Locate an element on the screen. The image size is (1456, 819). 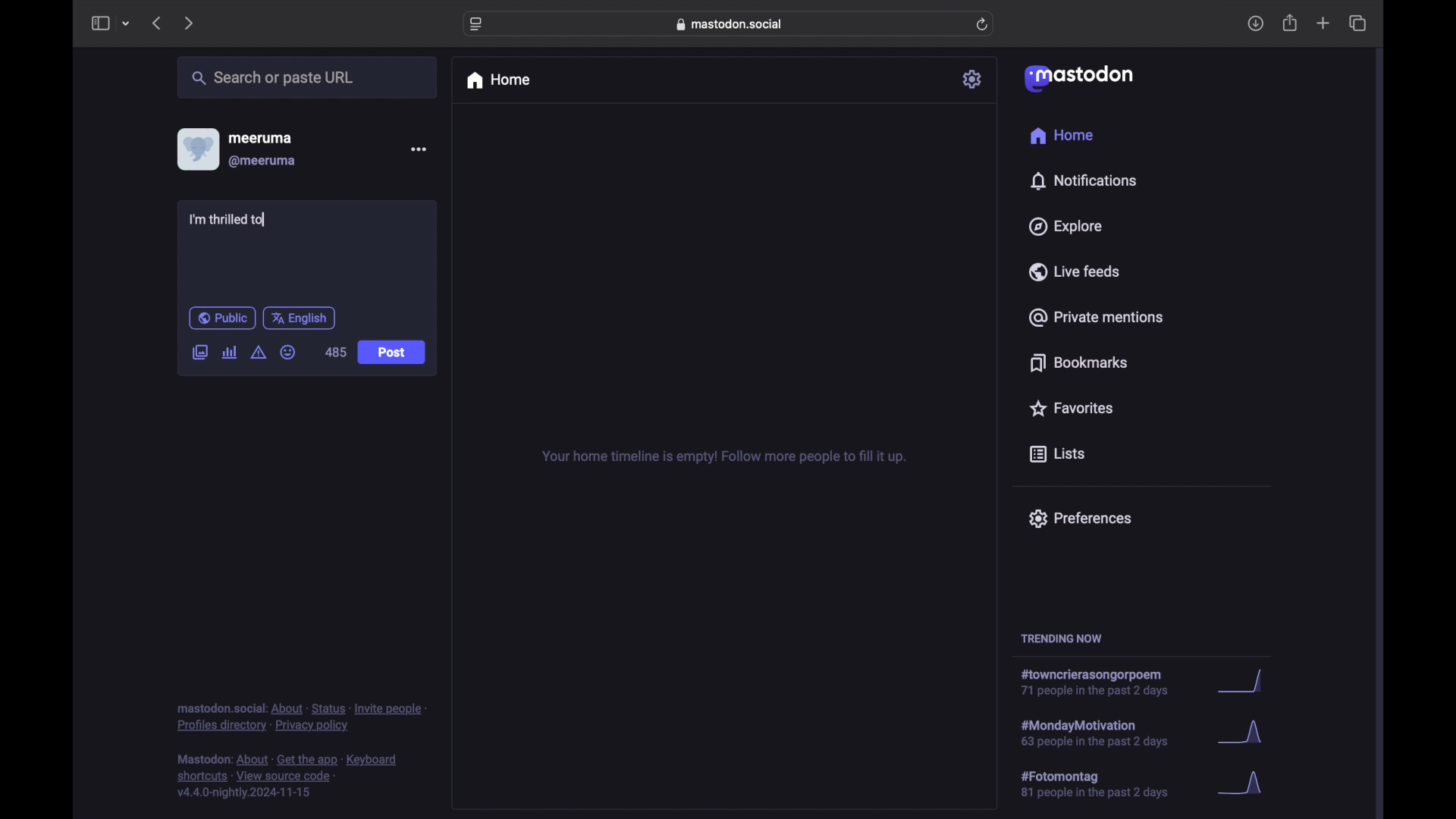
trending now is located at coordinates (1061, 639).